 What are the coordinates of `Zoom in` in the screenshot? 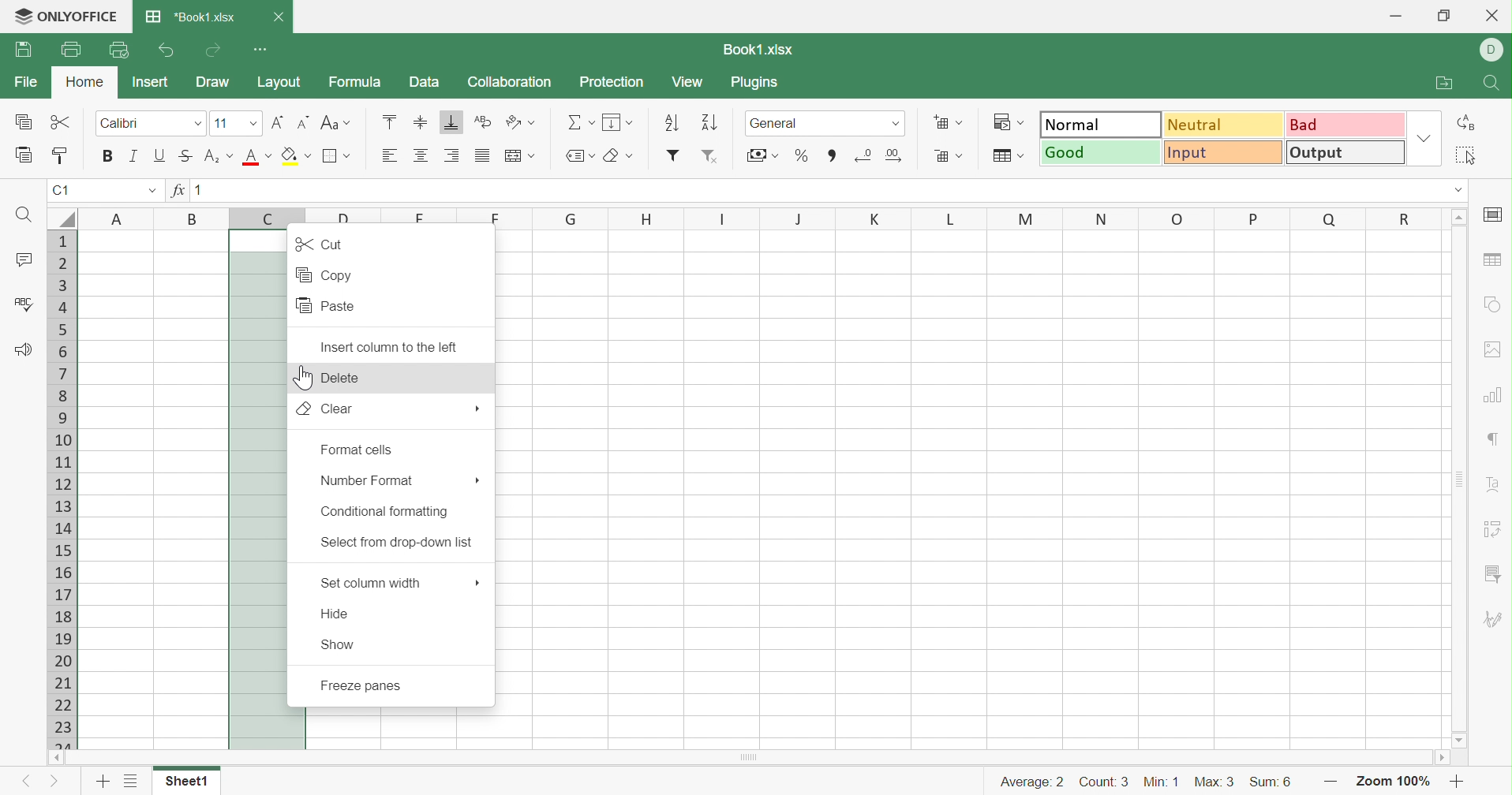 It's located at (1460, 780).